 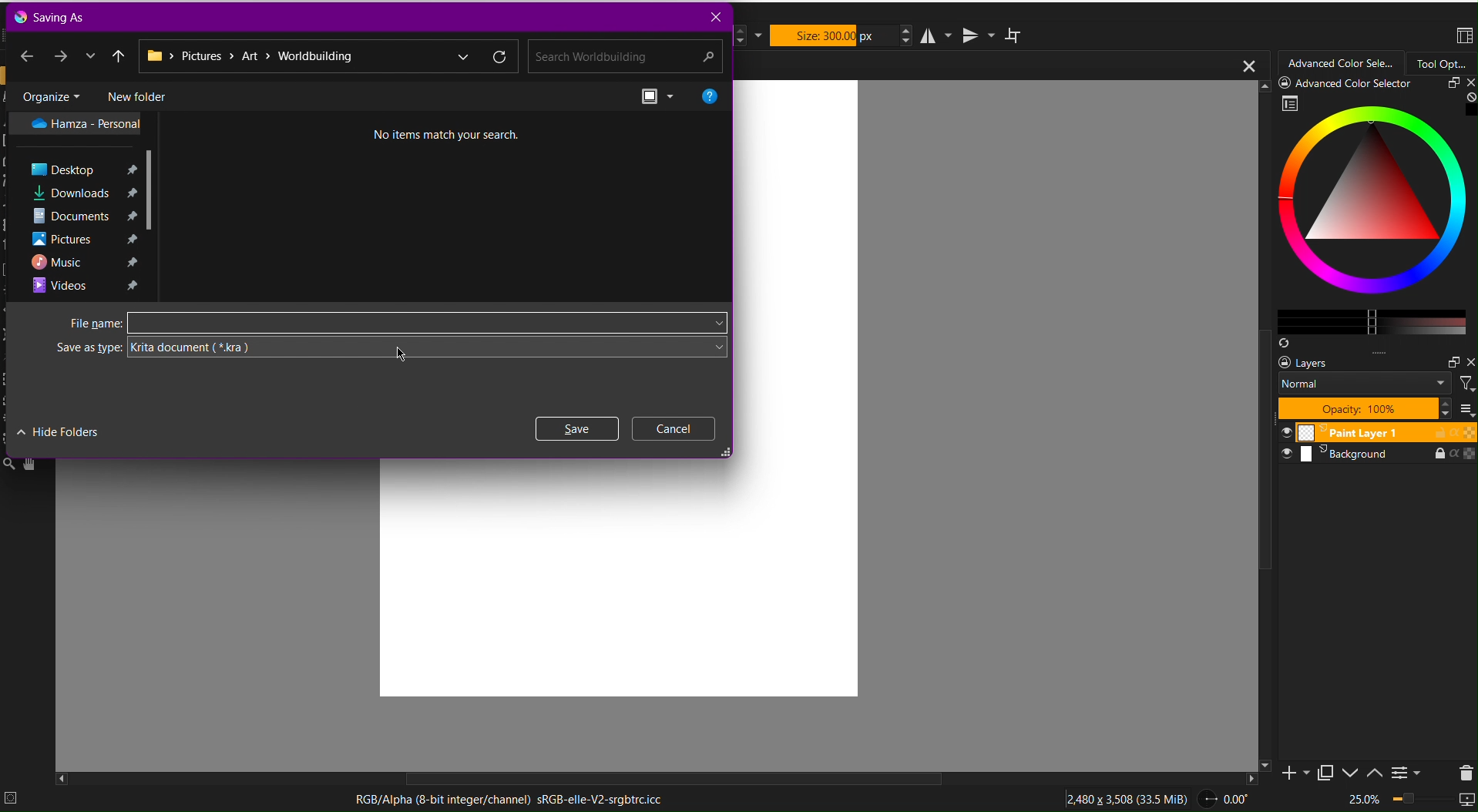 I want to click on Help, so click(x=710, y=95).